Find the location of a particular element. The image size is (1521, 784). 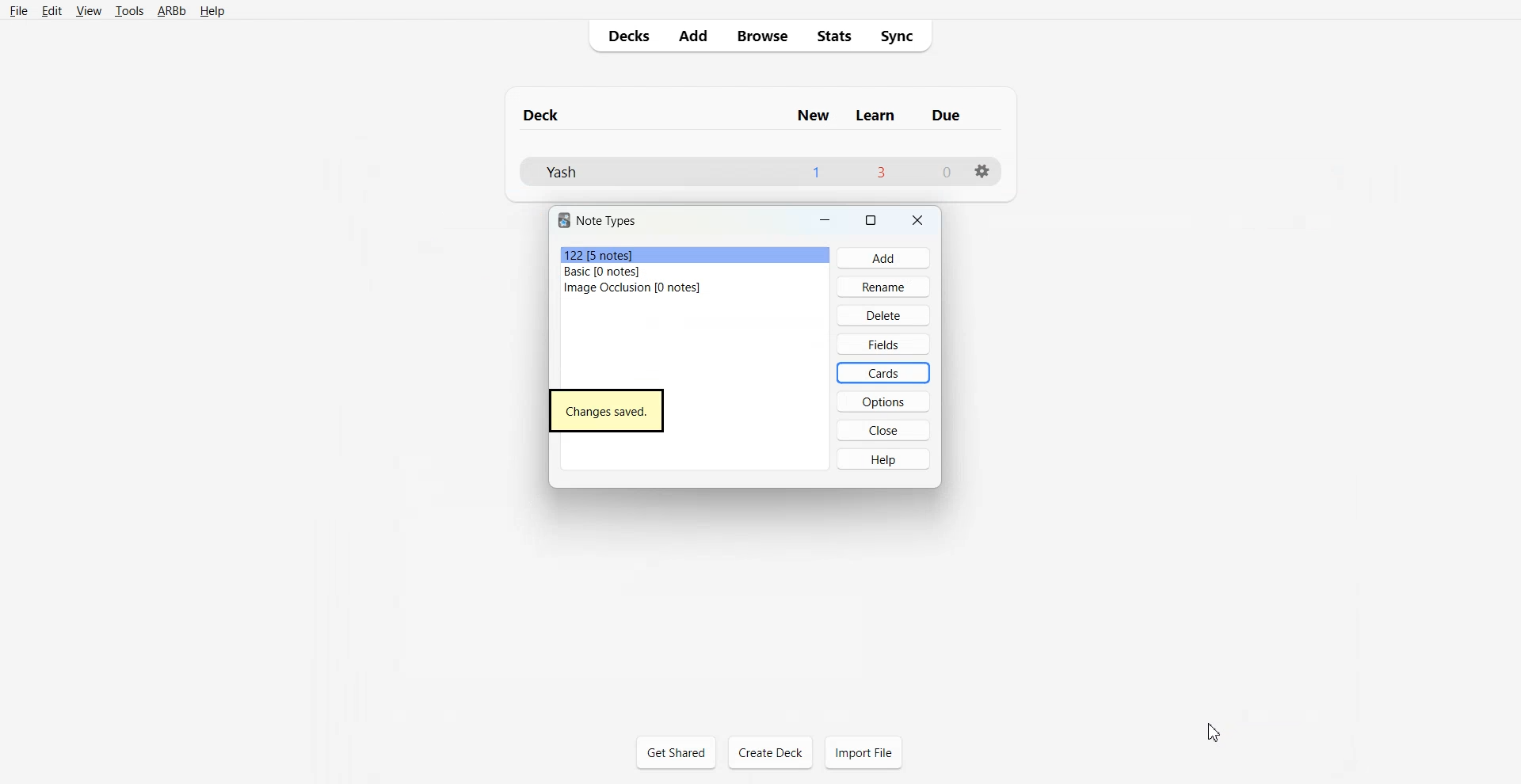

Stats is located at coordinates (836, 35).